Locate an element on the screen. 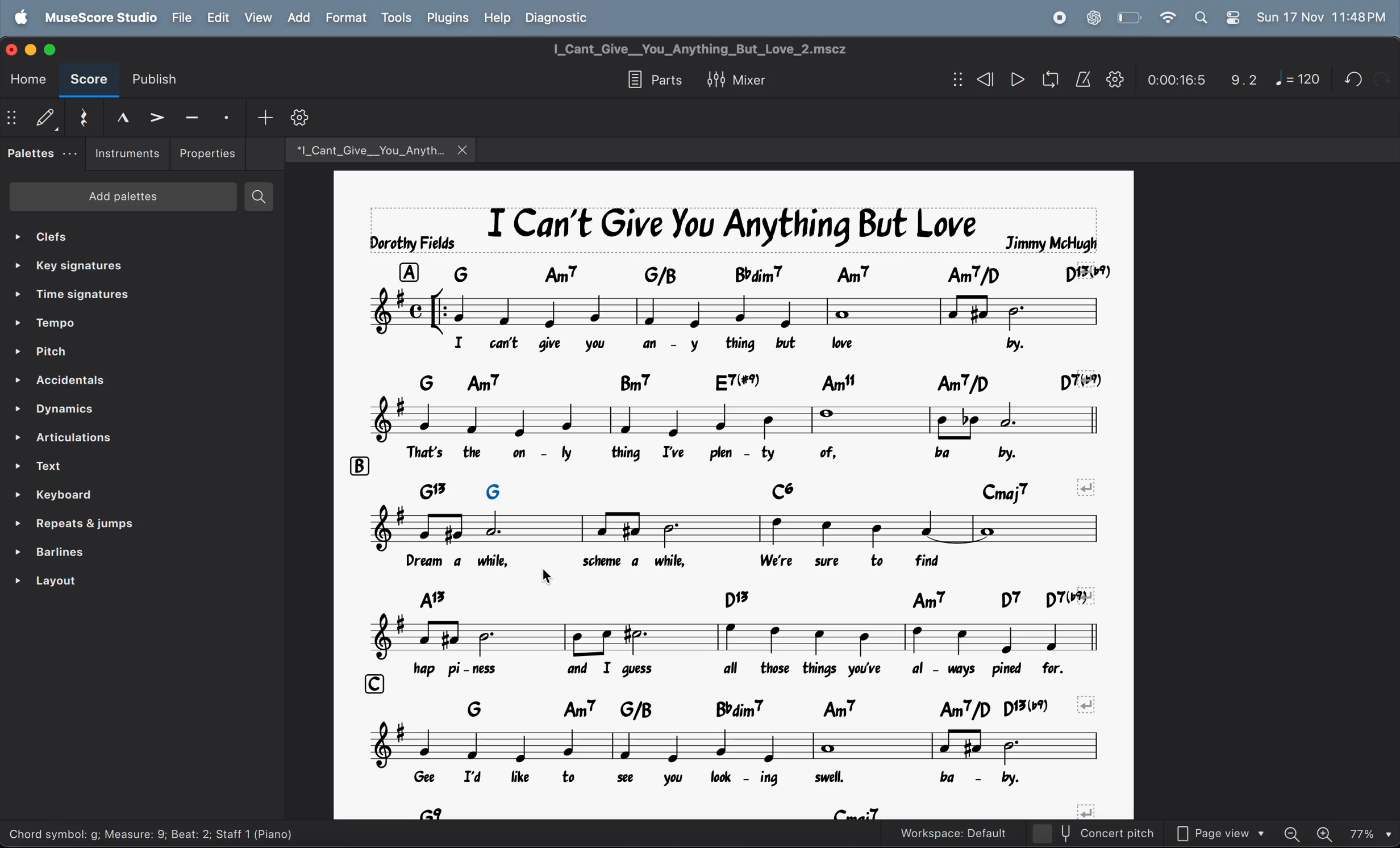  palettes is located at coordinates (43, 152).